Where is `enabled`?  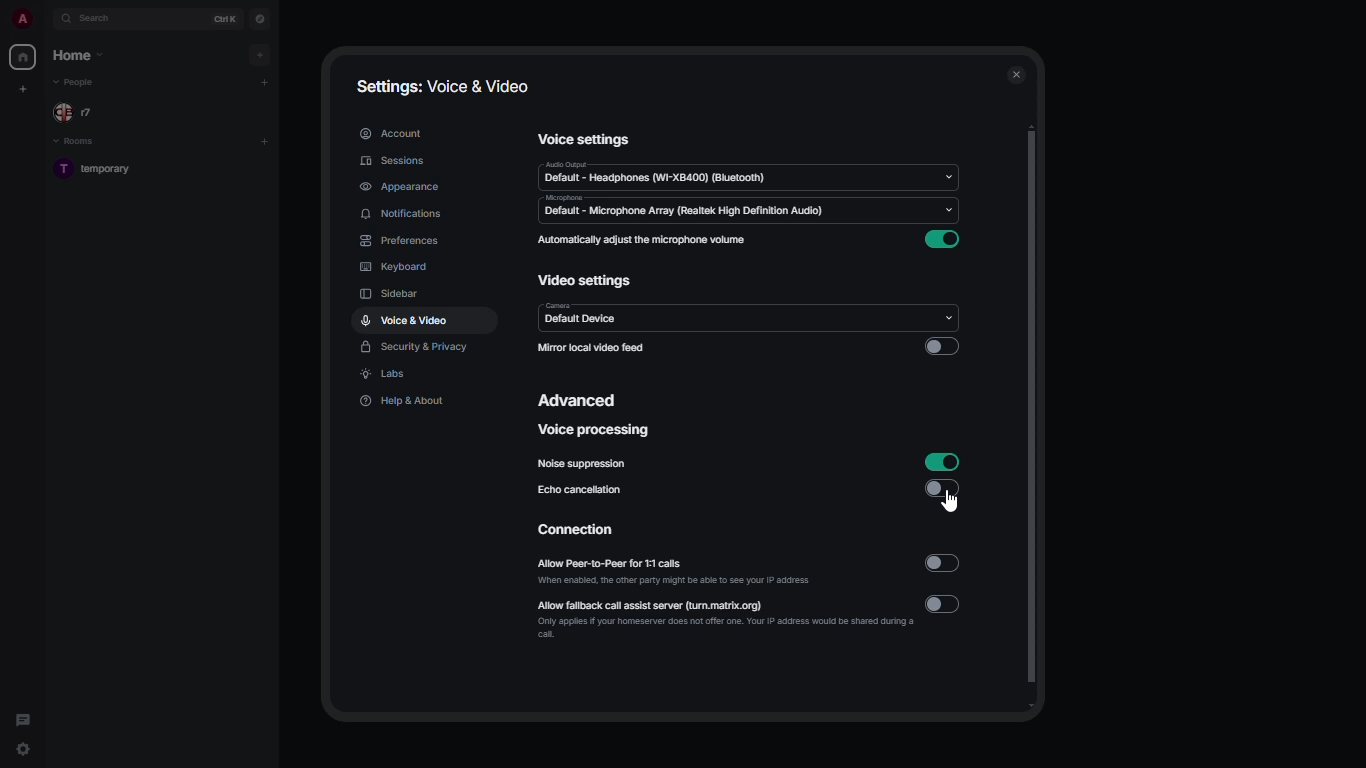
enabled is located at coordinates (944, 239).